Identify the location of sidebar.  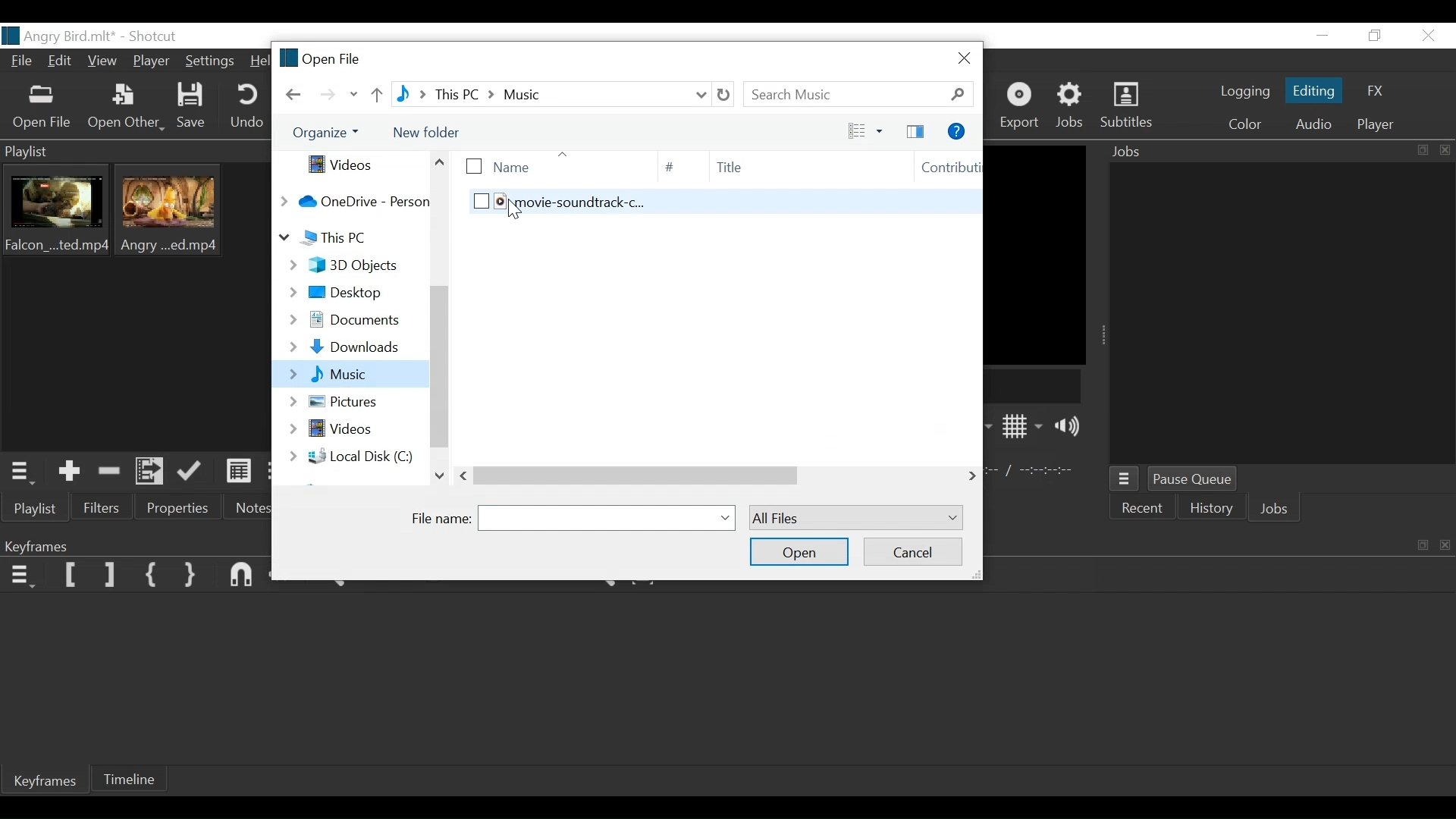
(913, 130).